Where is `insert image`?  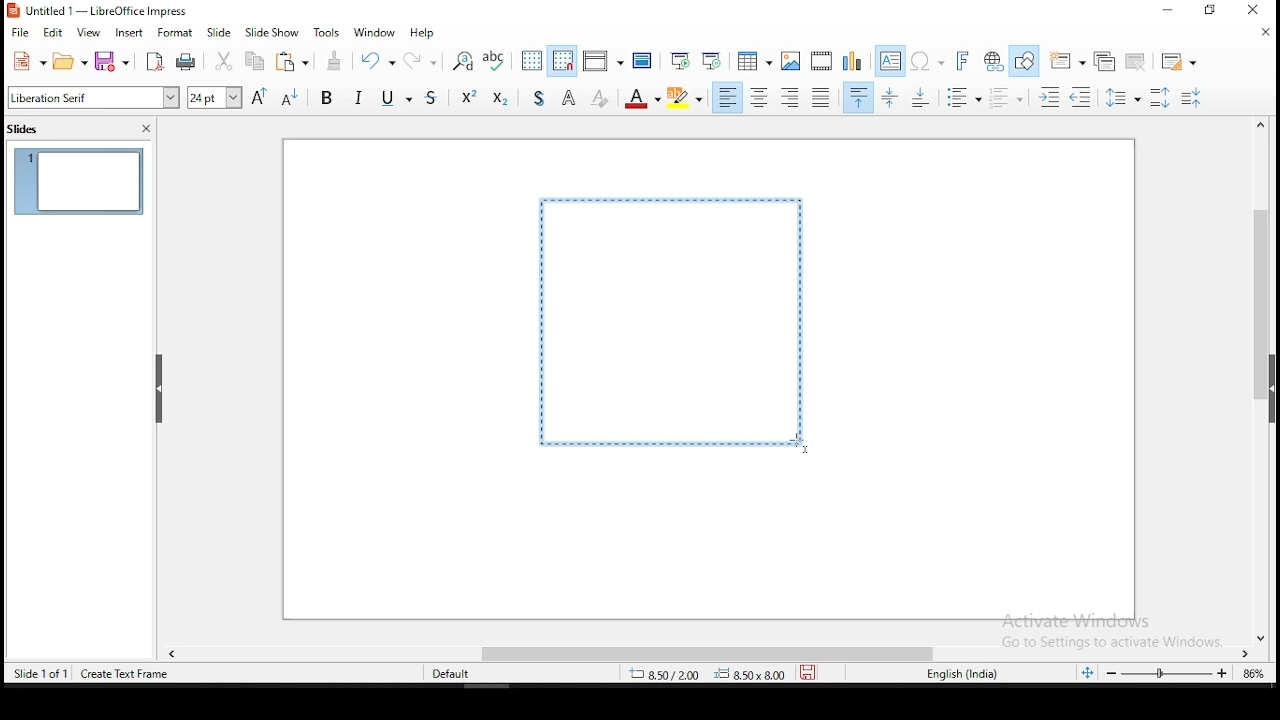 insert image is located at coordinates (792, 61).